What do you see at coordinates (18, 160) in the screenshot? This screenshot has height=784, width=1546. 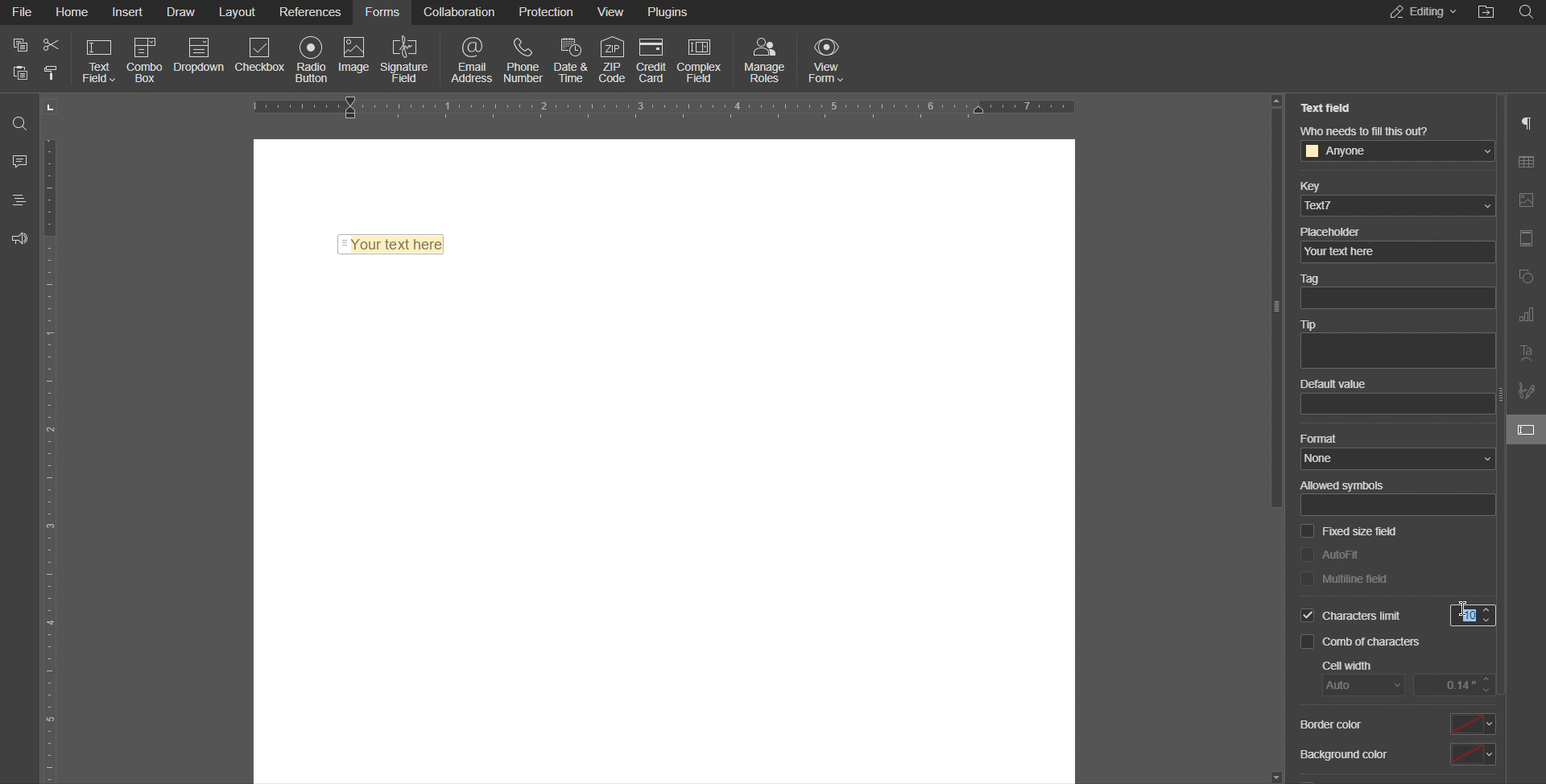 I see `Comments` at bounding box center [18, 160].